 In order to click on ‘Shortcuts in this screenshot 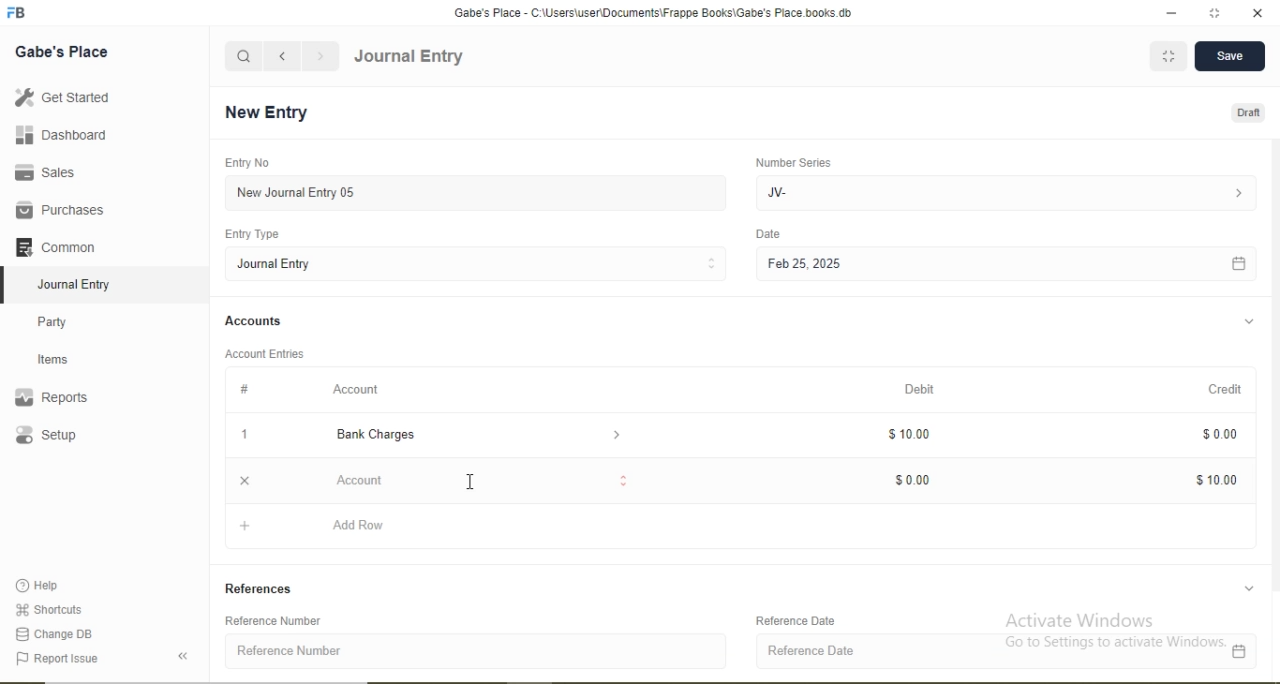, I will do `click(51, 608)`.